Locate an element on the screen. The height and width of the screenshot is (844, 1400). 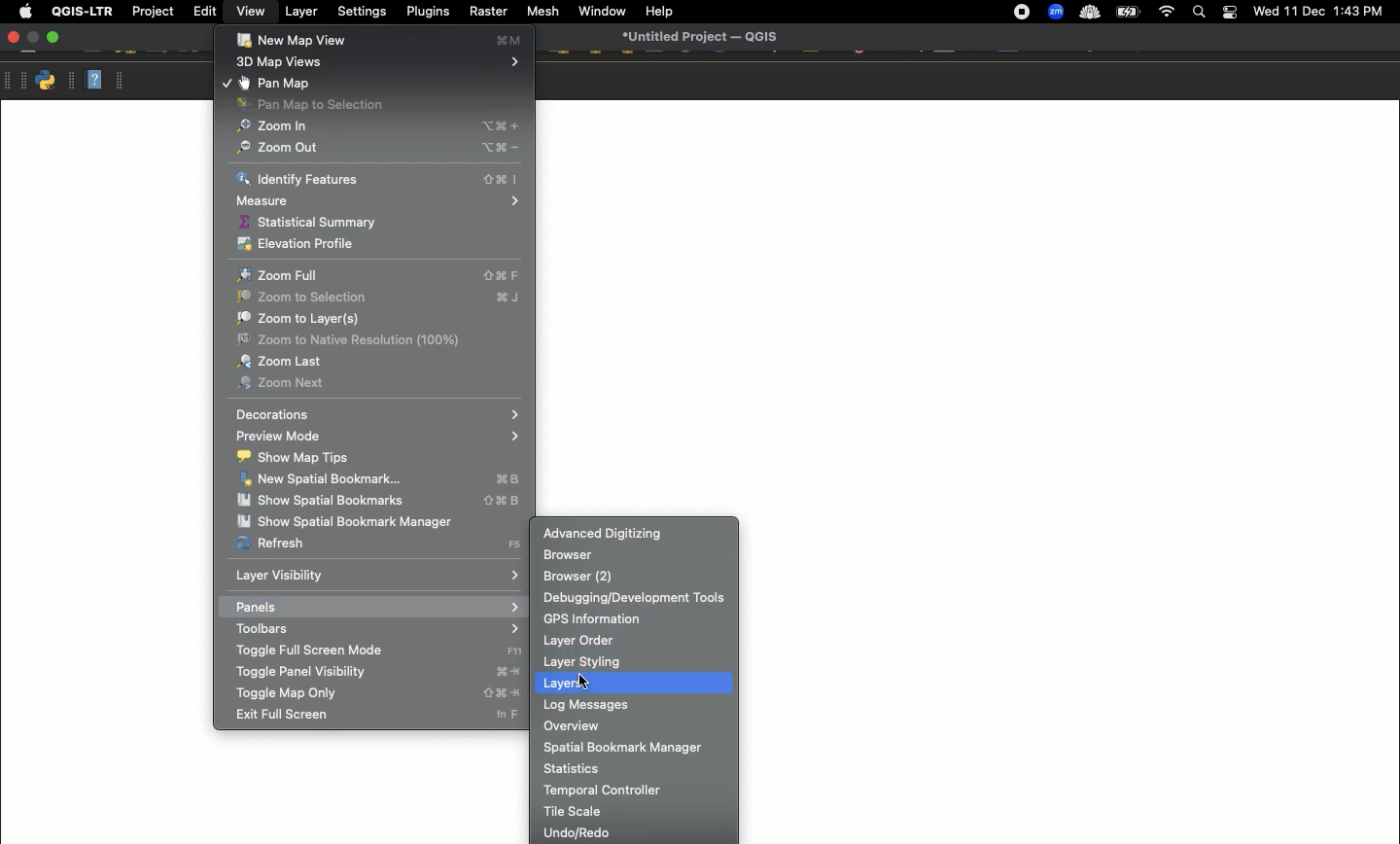
Zoom out is located at coordinates (377, 147).